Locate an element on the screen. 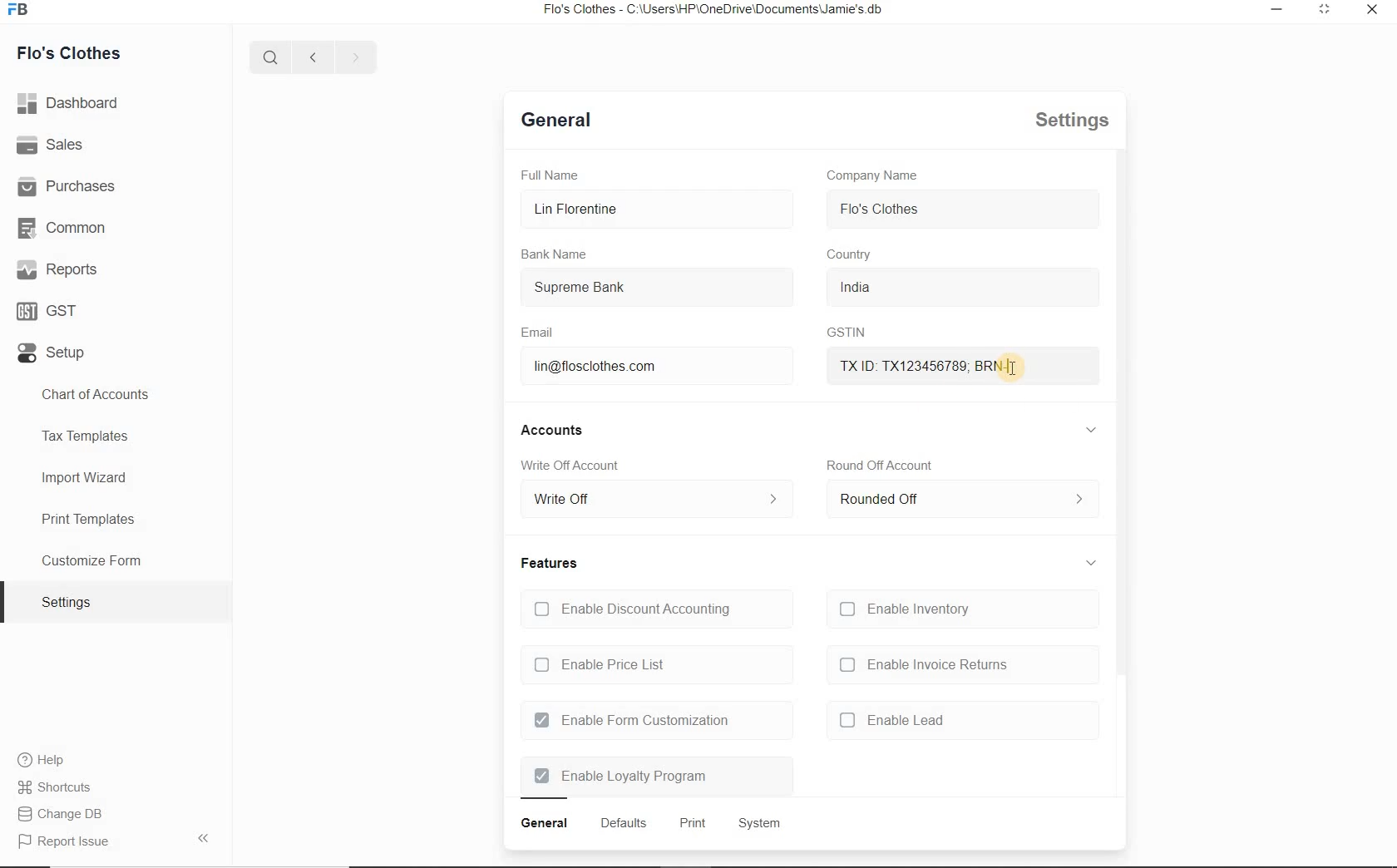 Image resolution: width=1397 pixels, height=868 pixels. Chart of Accounts is located at coordinates (102, 395).